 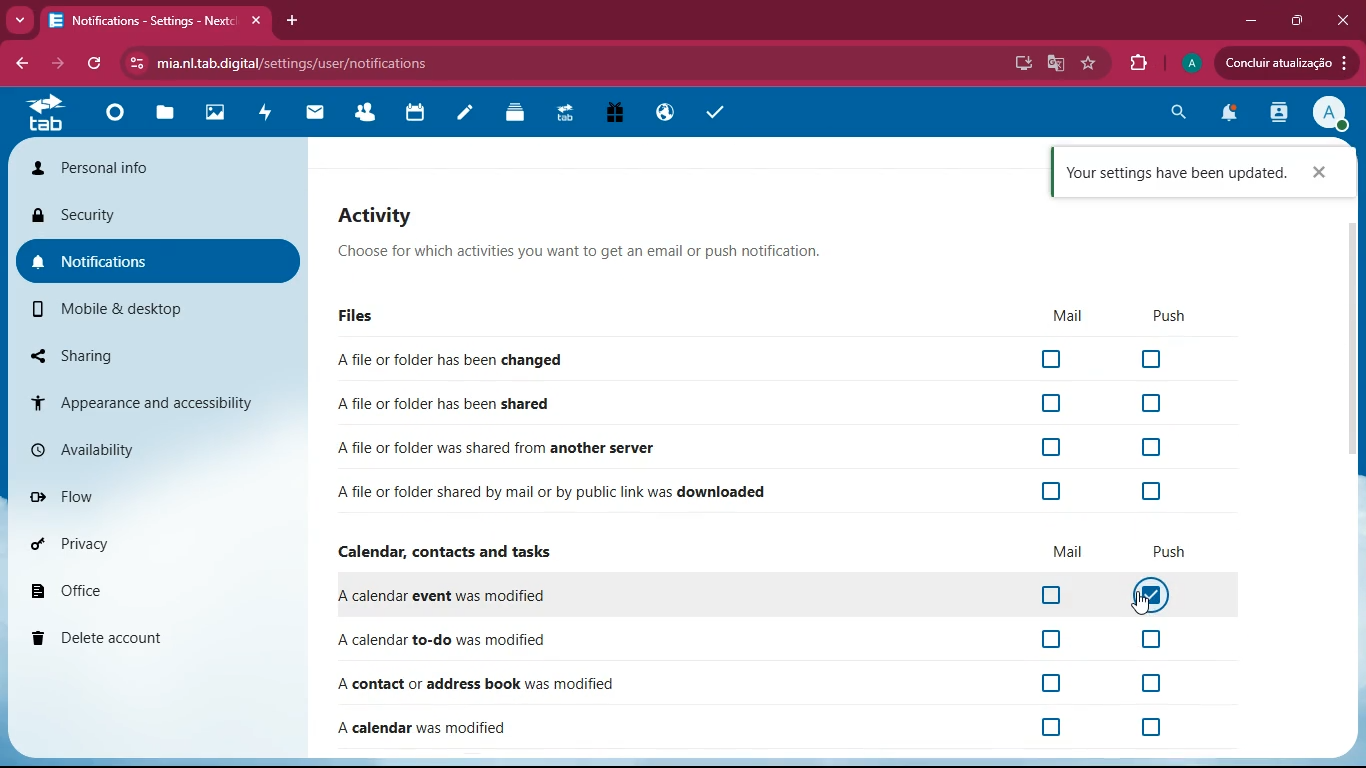 What do you see at coordinates (158, 637) in the screenshot?
I see `delete account` at bounding box center [158, 637].